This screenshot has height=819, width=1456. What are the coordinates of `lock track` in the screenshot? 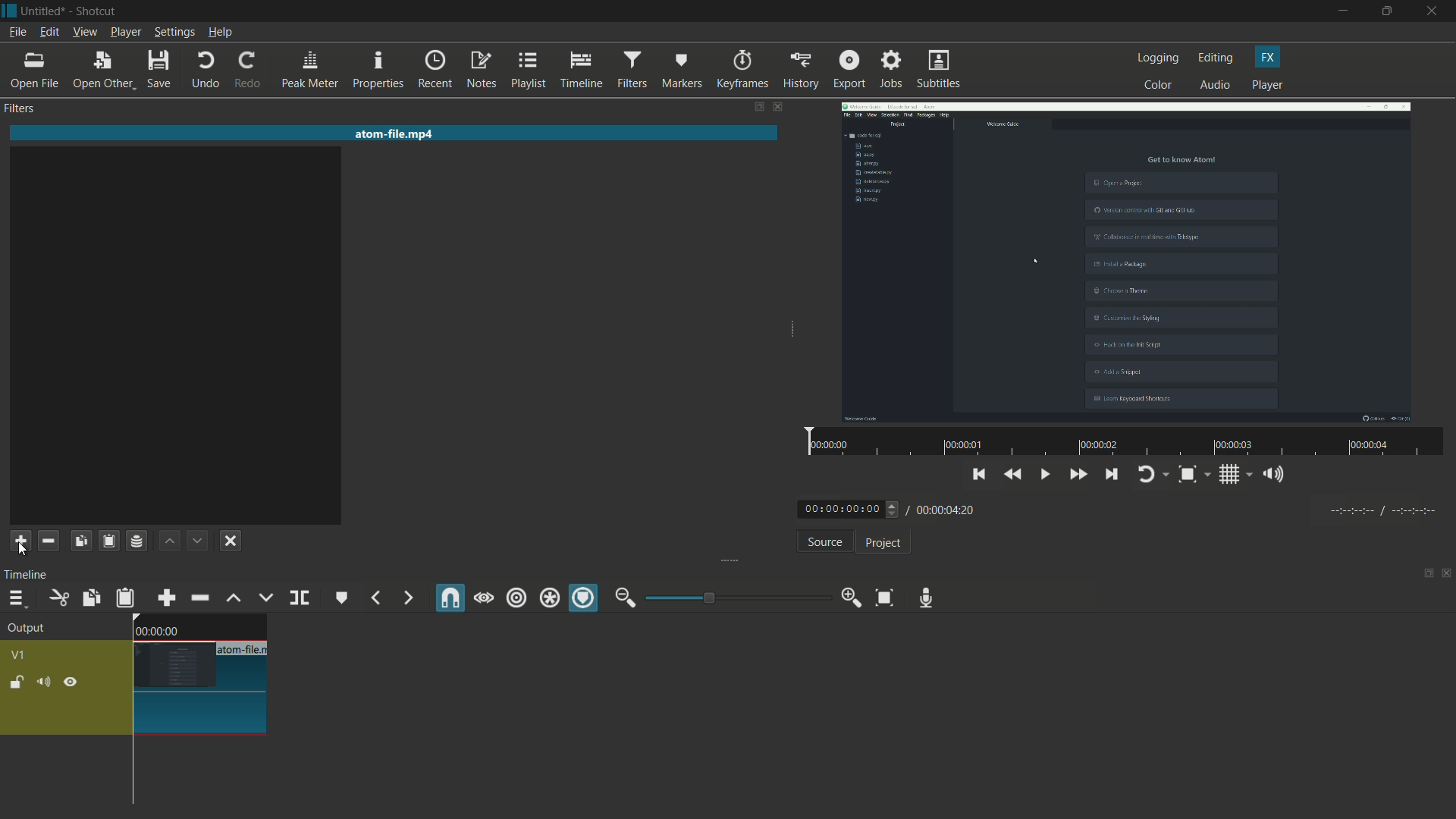 It's located at (19, 682).